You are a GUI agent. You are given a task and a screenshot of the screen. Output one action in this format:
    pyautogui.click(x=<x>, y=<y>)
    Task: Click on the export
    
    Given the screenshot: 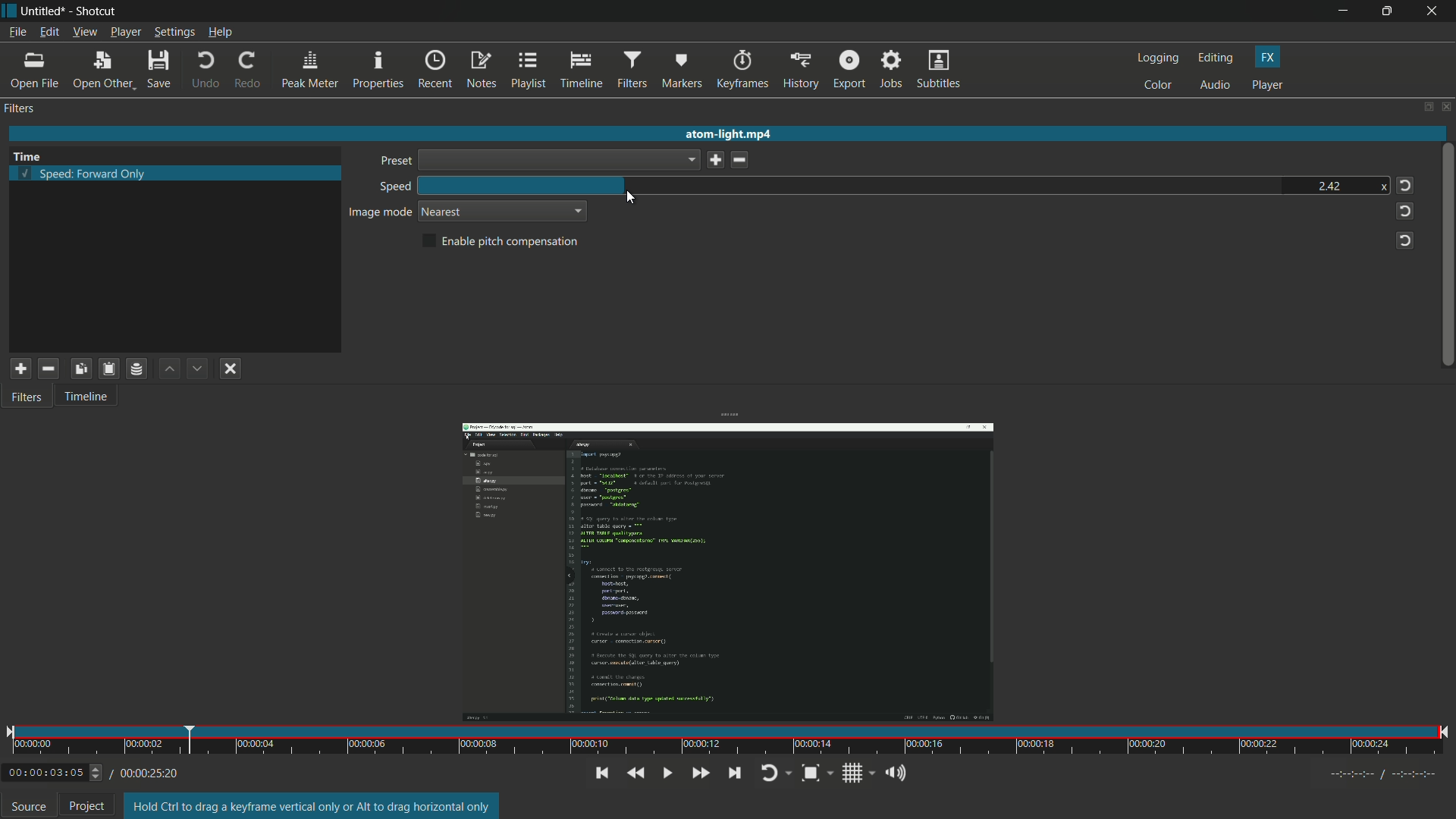 What is the action you would take?
    pyautogui.click(x=849, y=71)
    